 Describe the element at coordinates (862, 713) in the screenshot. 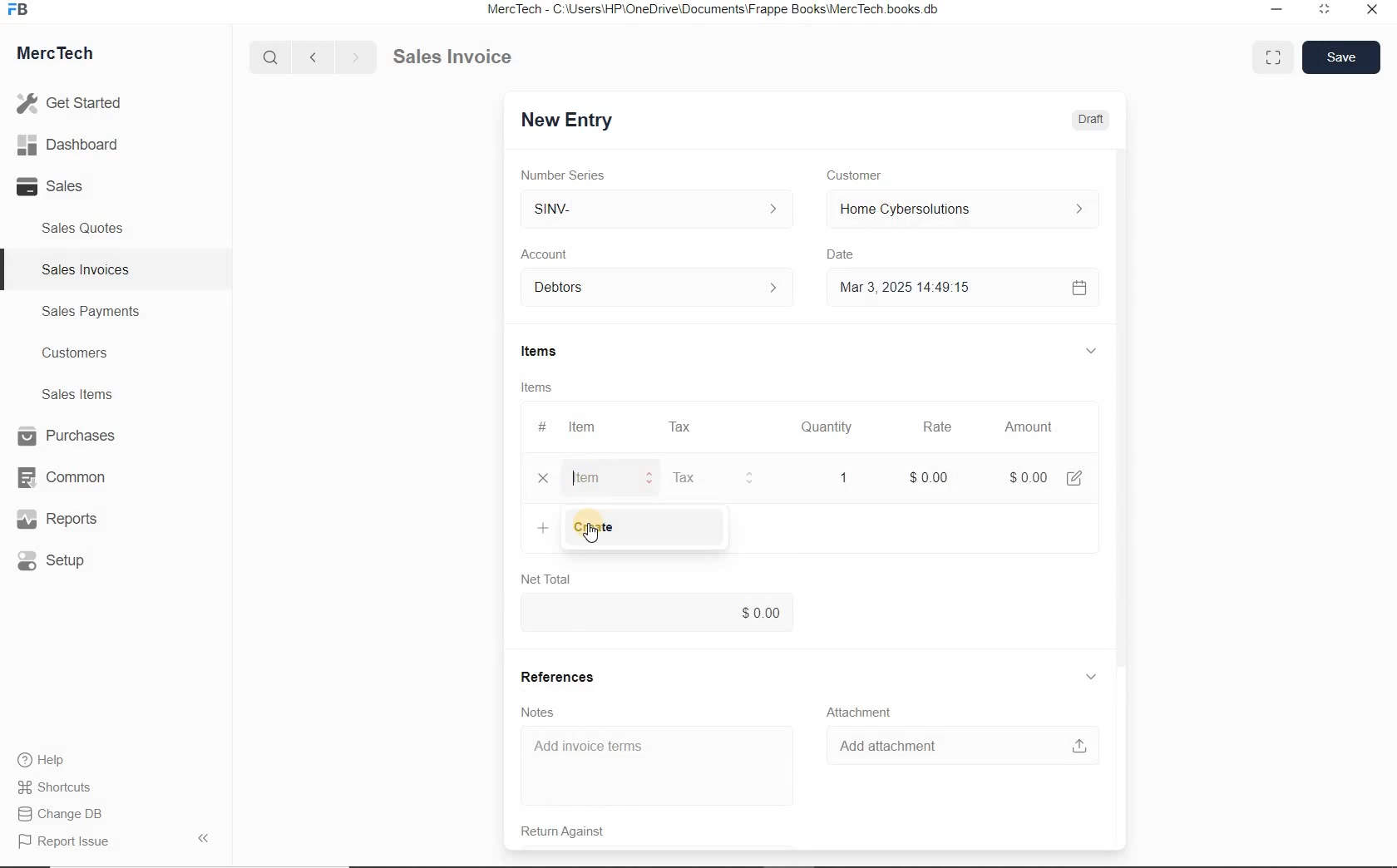

I see `Attachment` at that location.